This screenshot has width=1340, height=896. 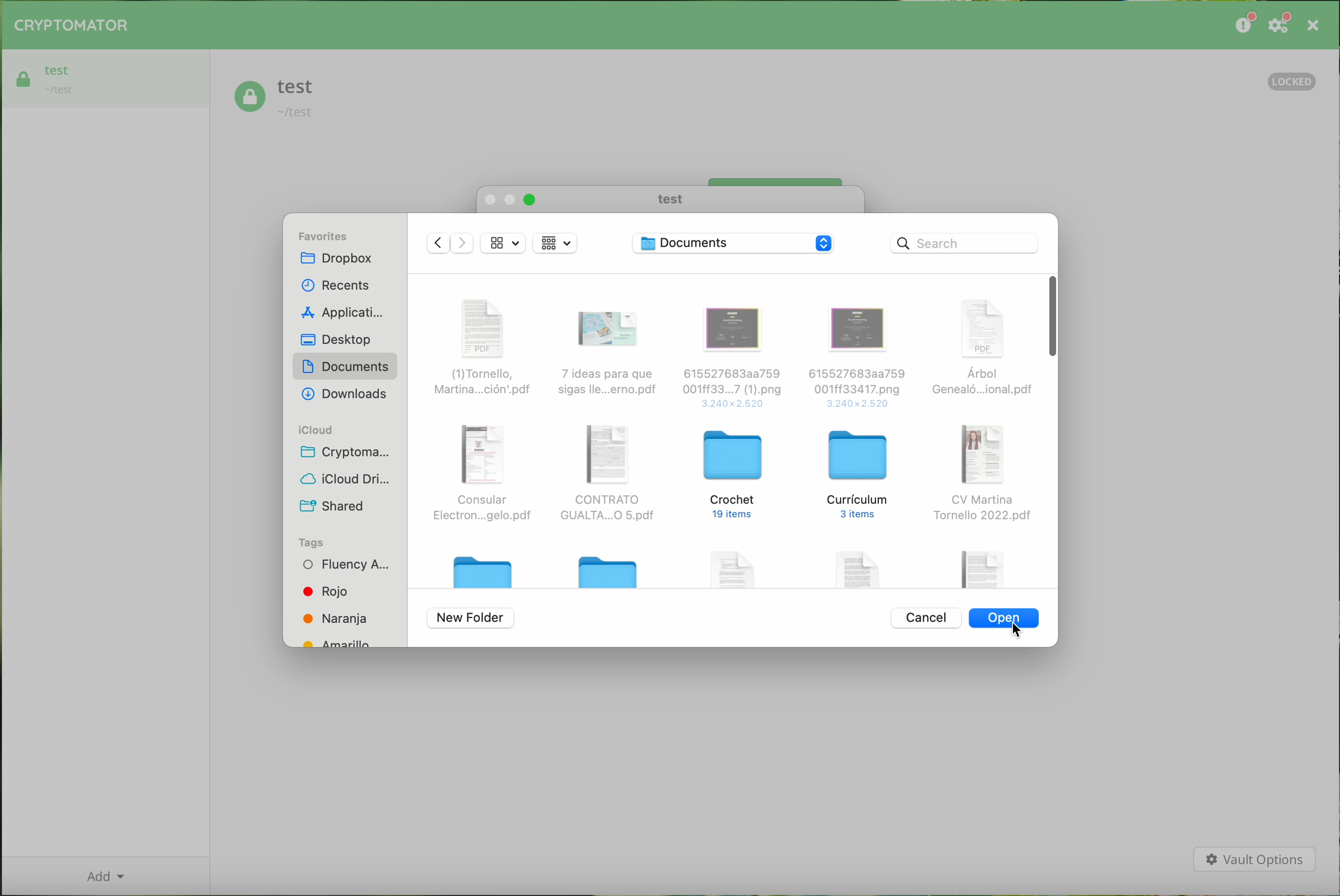 I want to click on orange, so click(x=336, y=618).